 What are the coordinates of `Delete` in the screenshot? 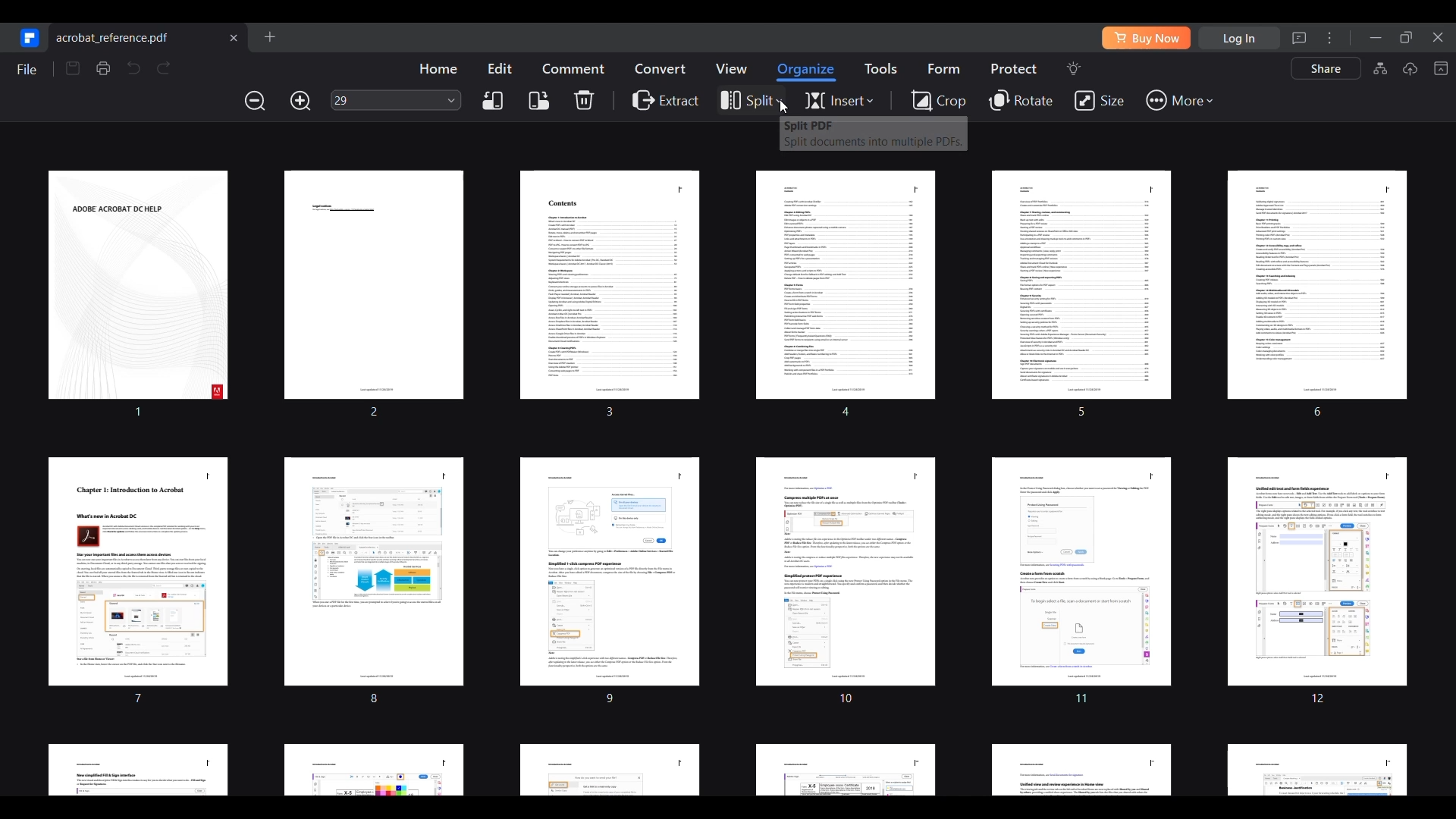 It's located at (584, 99).